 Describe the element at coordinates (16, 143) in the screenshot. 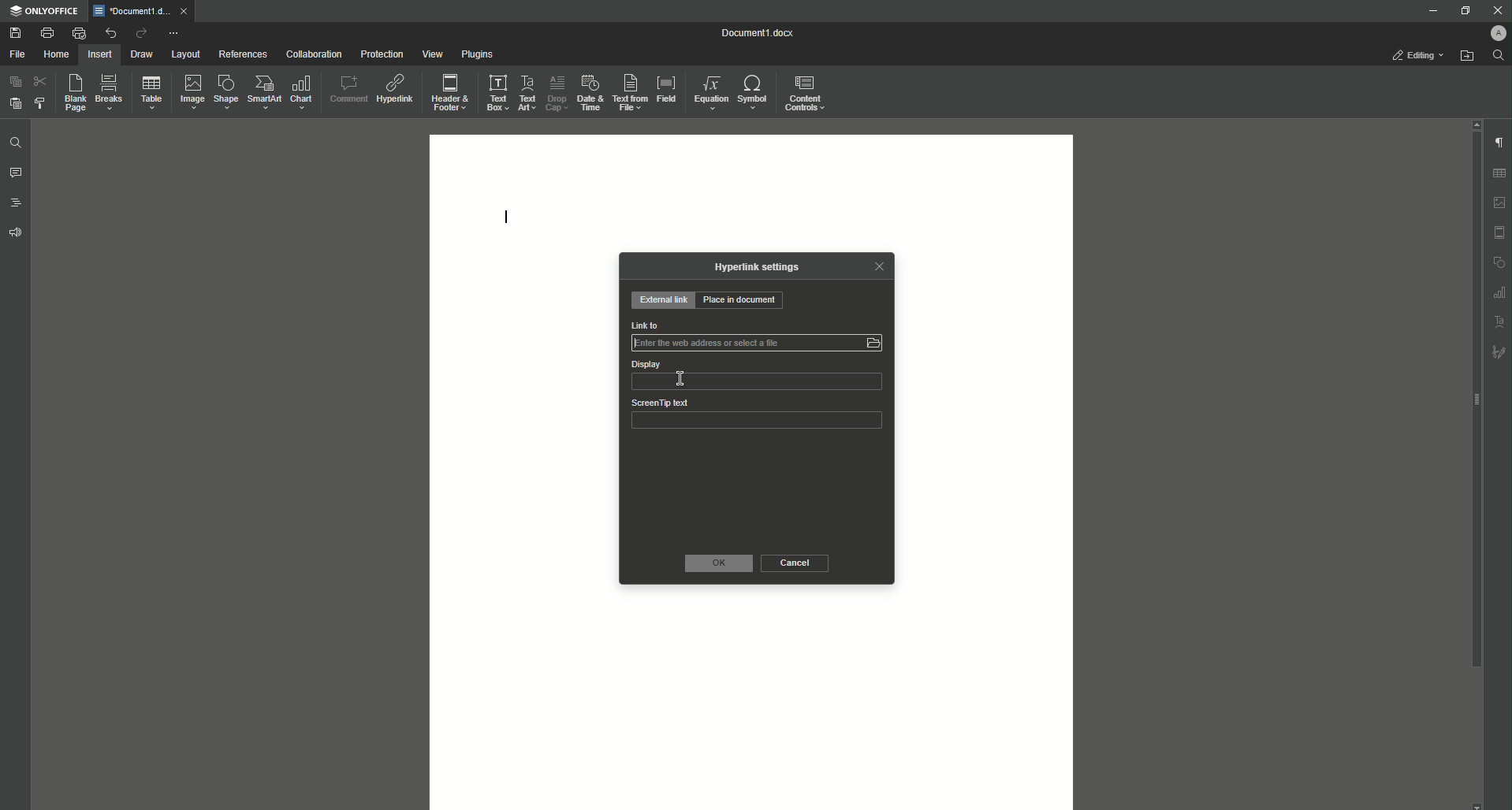

I see `Find` at that location.